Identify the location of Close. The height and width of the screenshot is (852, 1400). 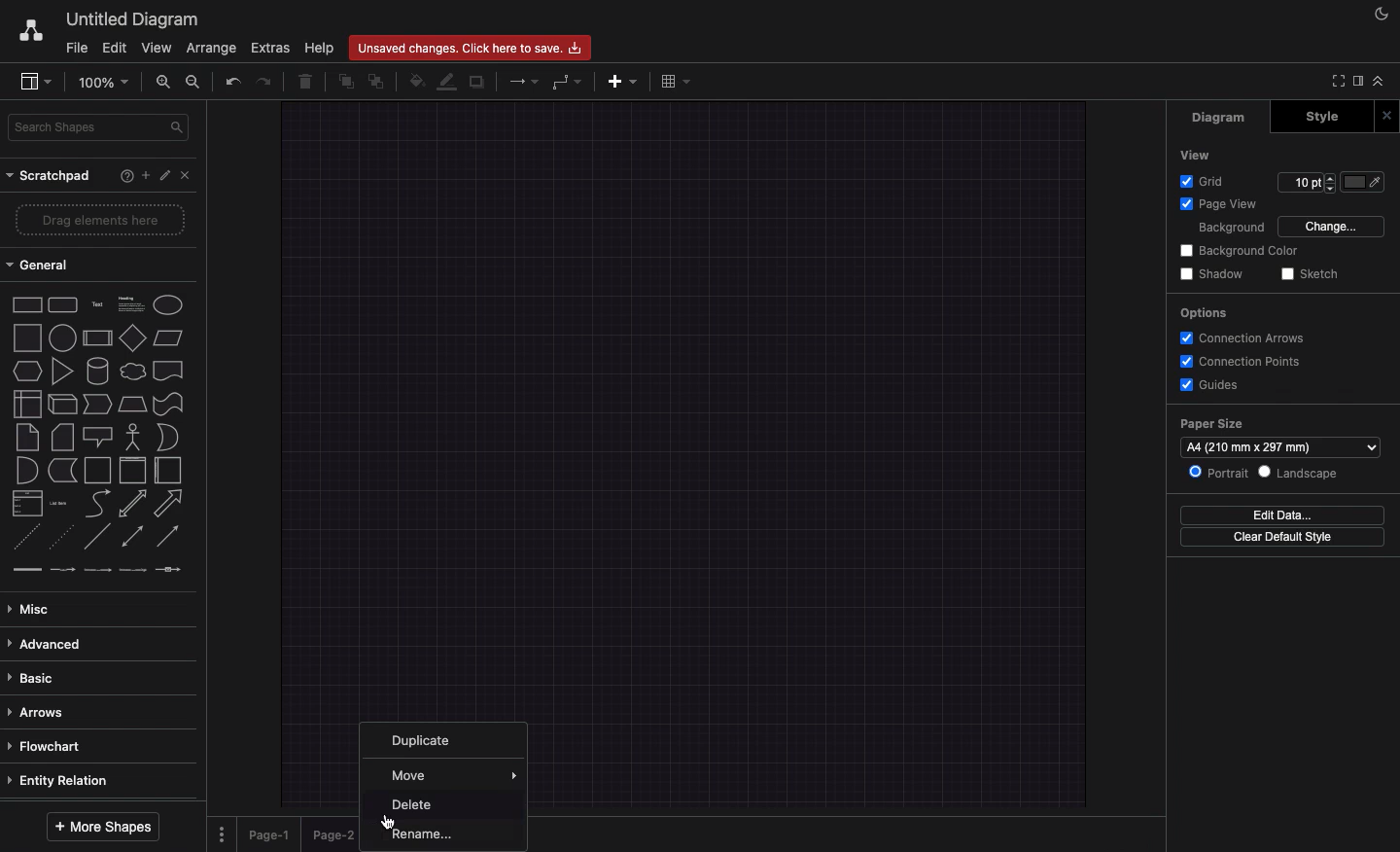
(1386, 115).